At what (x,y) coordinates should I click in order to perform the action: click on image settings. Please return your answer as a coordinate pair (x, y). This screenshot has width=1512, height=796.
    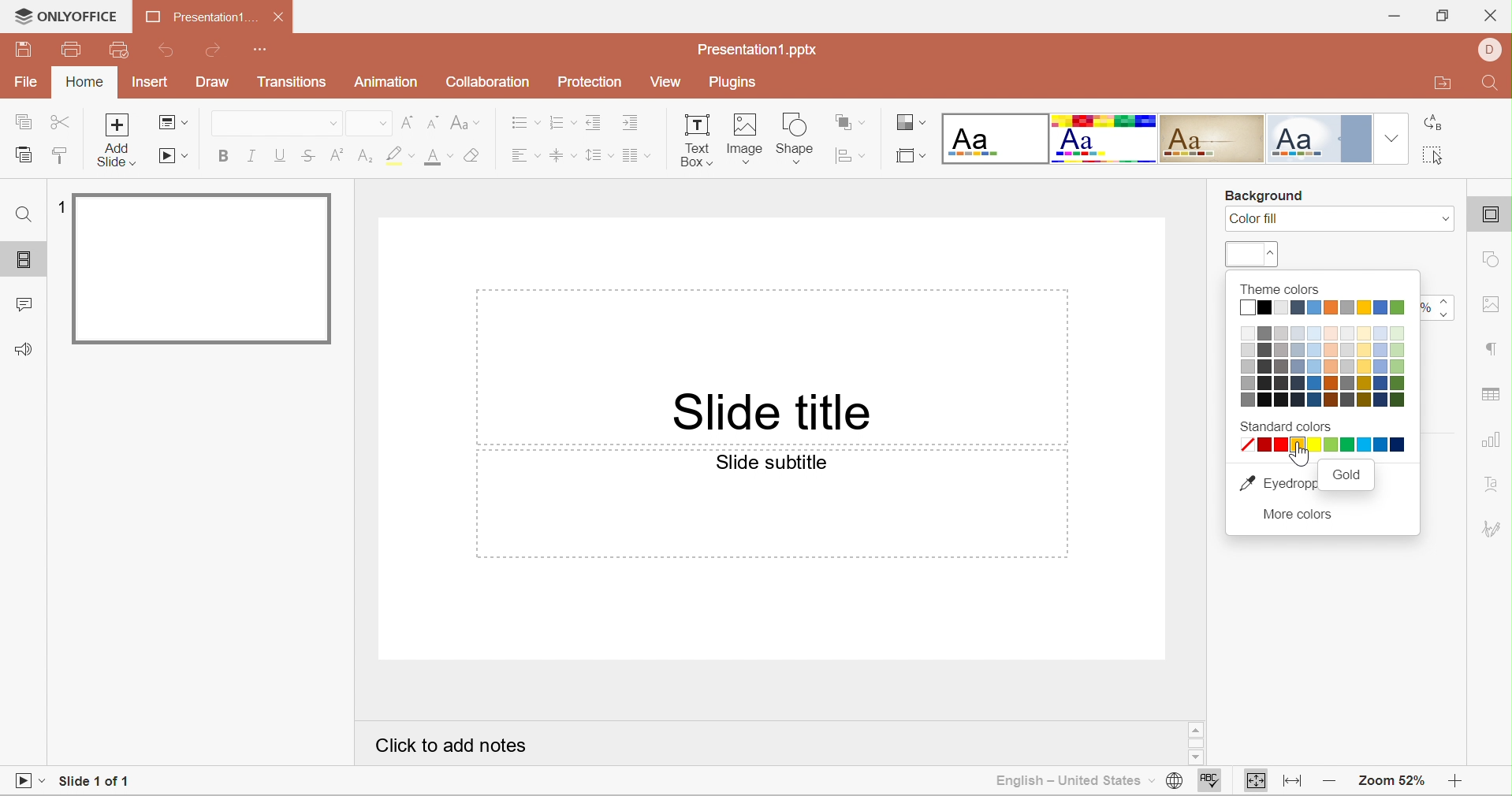
    Looking at the image, I should click on (1494, 305).